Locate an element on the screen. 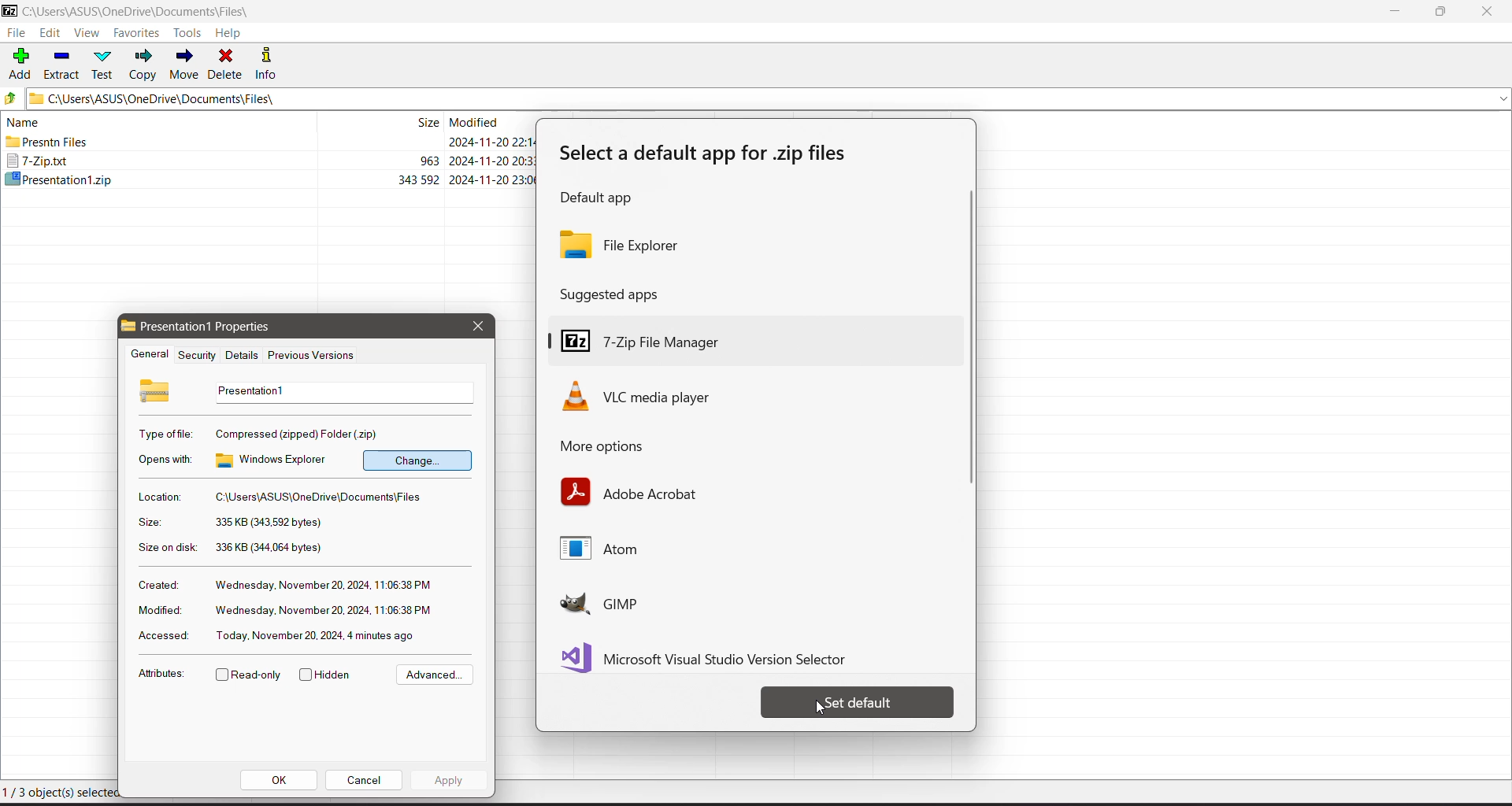 This screenshot has height=806, width=1512. Present files is located at coordinates (269, 143).